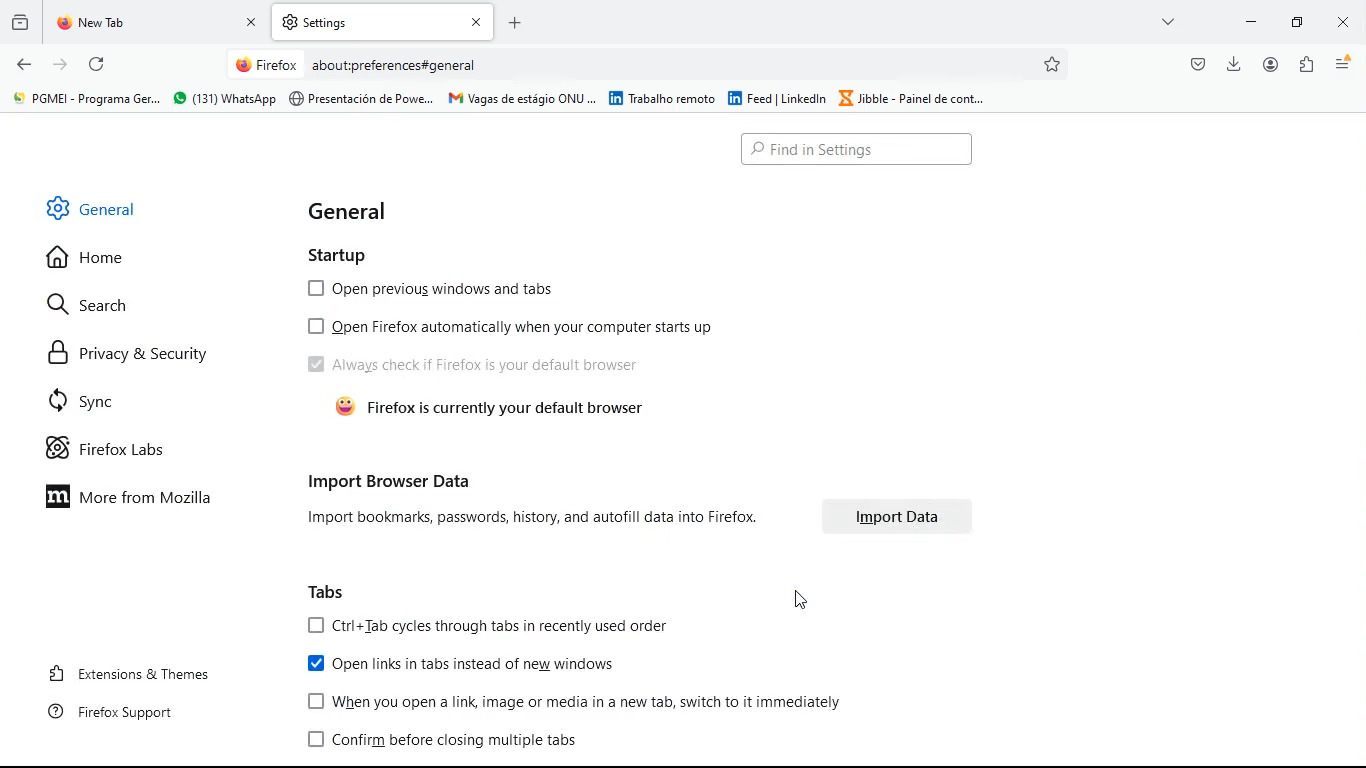 Image resolution: width=1366 pixels, height=768 pixels. Describe the element at coordinates (143, 495) in the screenshot. I see `more from mozilla` at that location.